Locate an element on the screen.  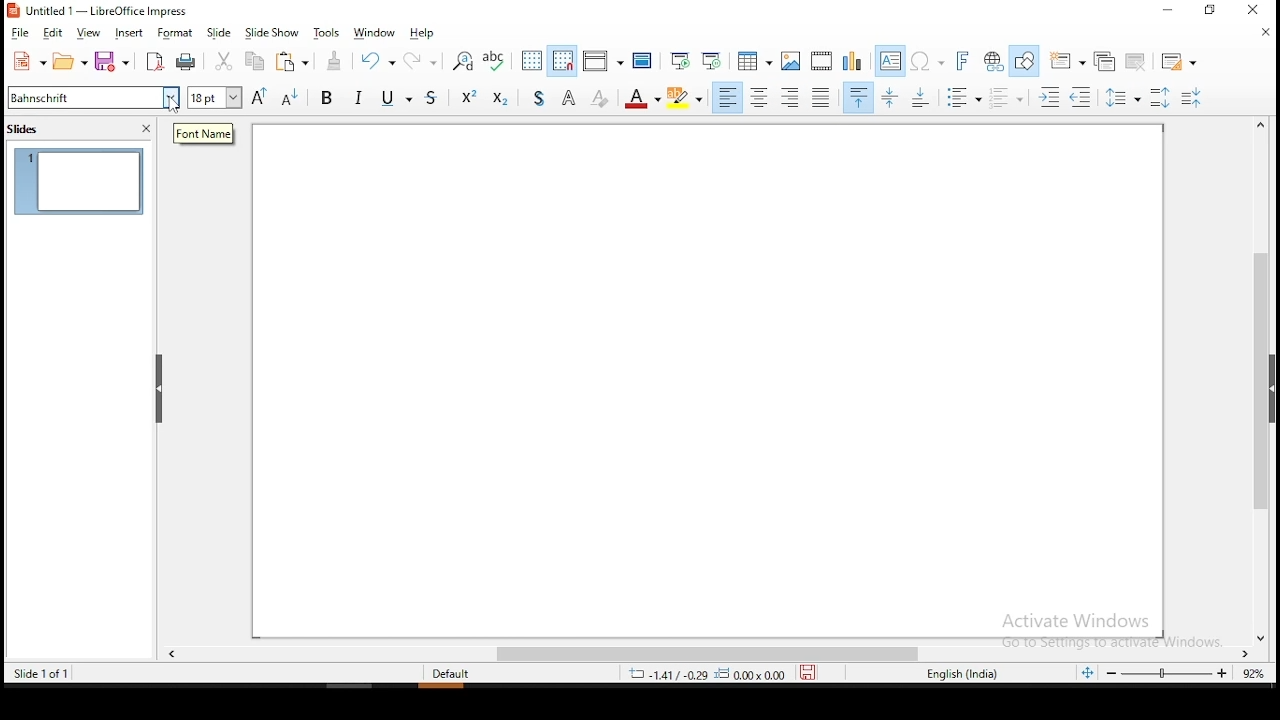
font name is located at coordinates (91, 96).